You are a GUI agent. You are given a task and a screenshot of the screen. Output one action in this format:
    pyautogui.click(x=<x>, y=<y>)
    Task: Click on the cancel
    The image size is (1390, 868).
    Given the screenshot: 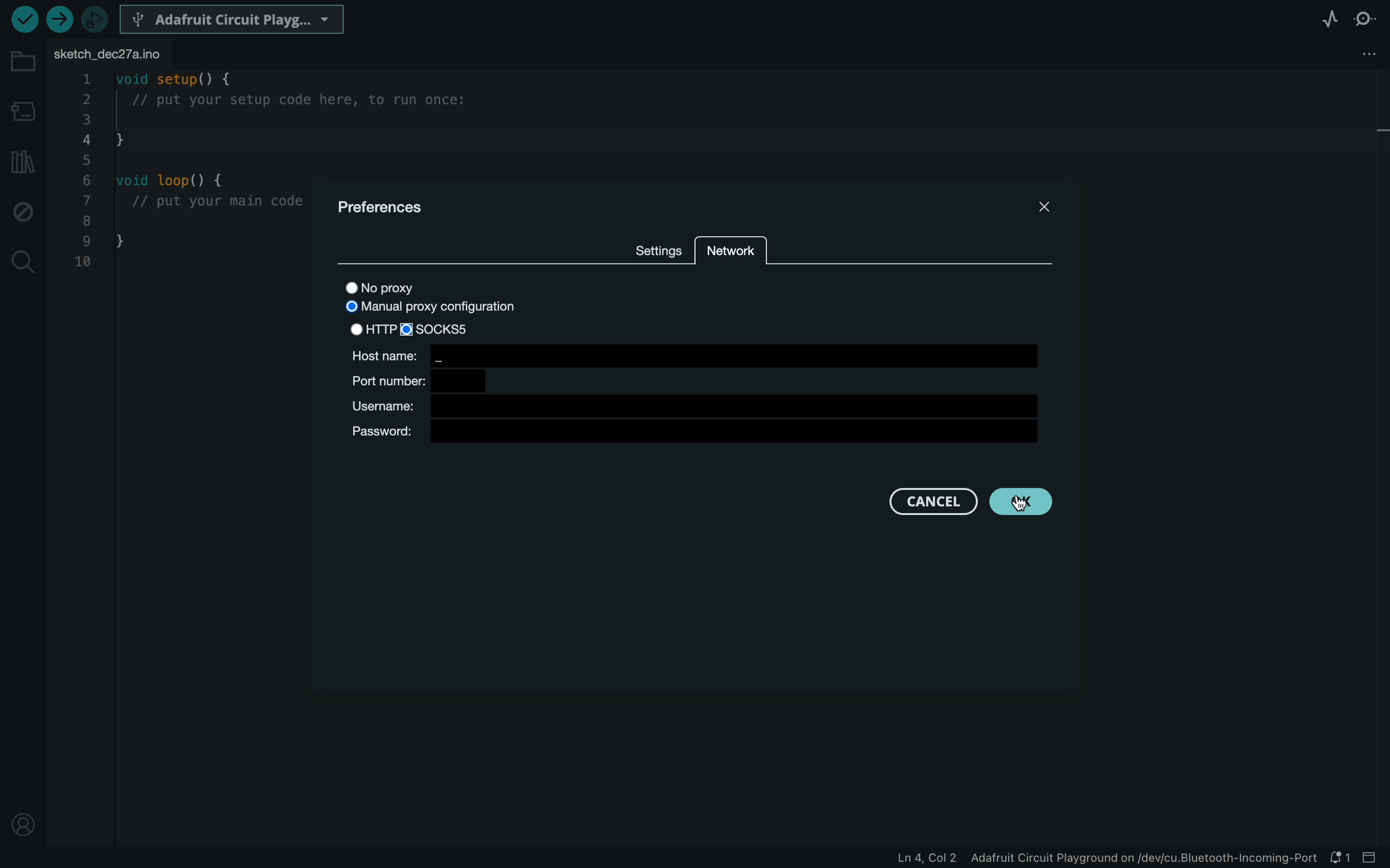 What is the action you would take?
    pyautogui.click(x=927, y=505)
    